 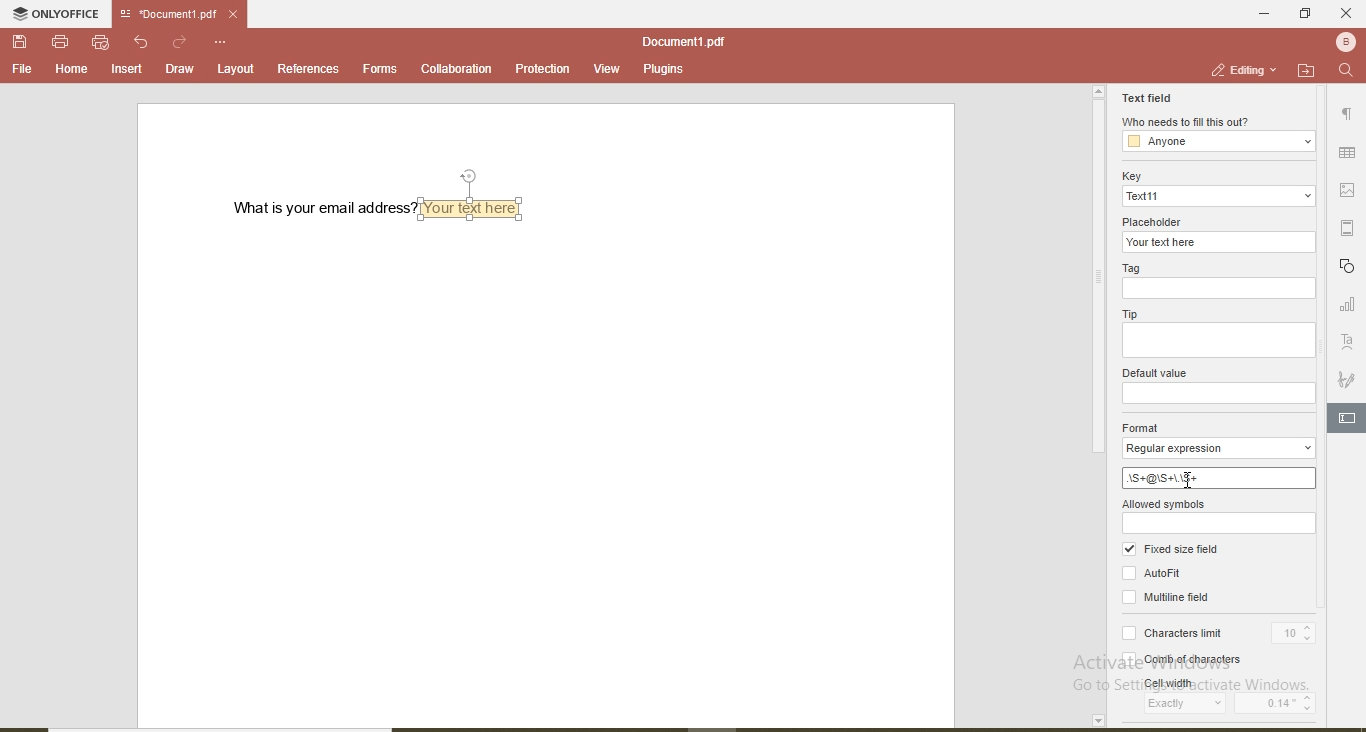 I want to click on forms, so click(x=380, y=68).